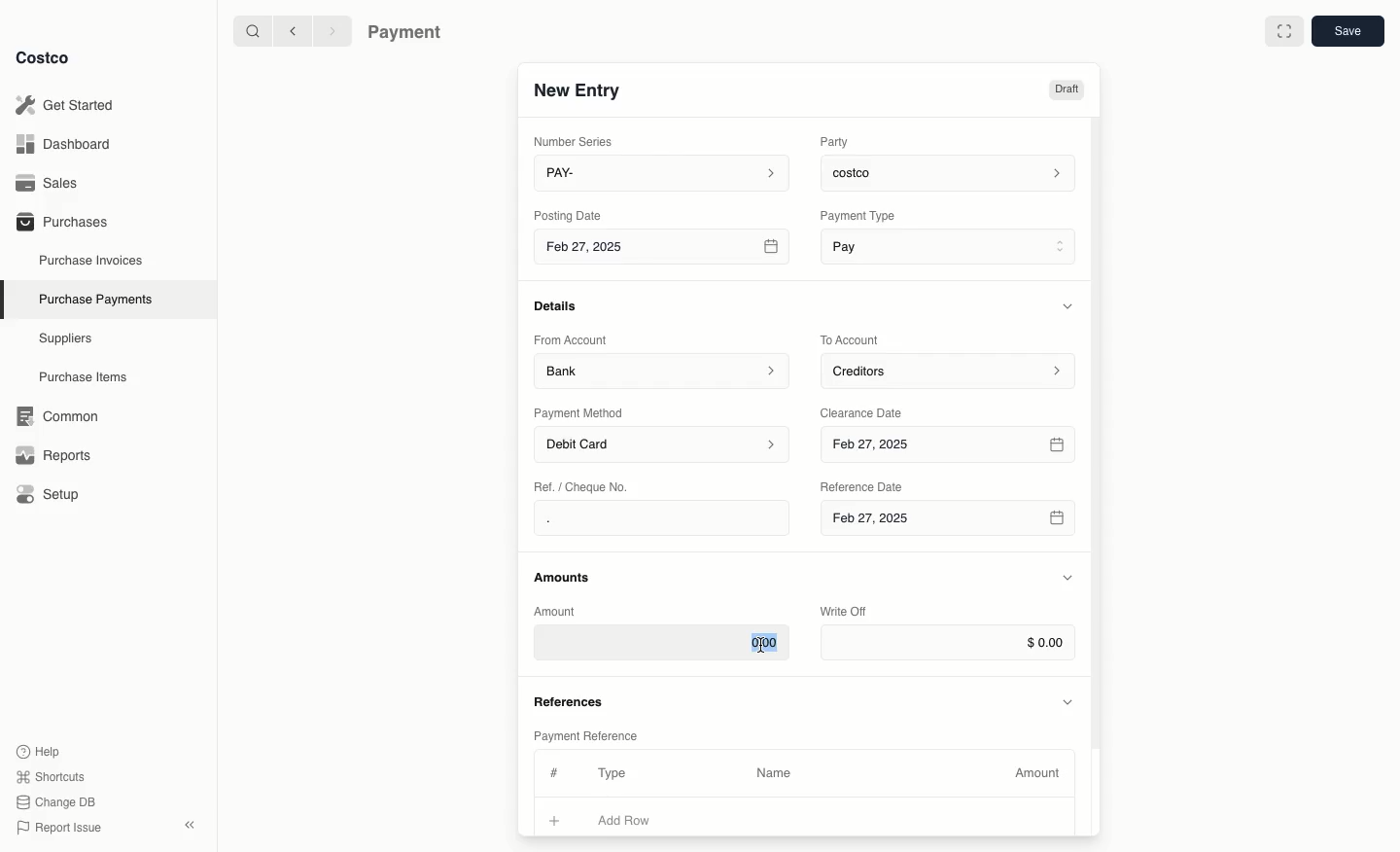 The image size is (1400, 852). I want to click on Reports, so click(51, 452).